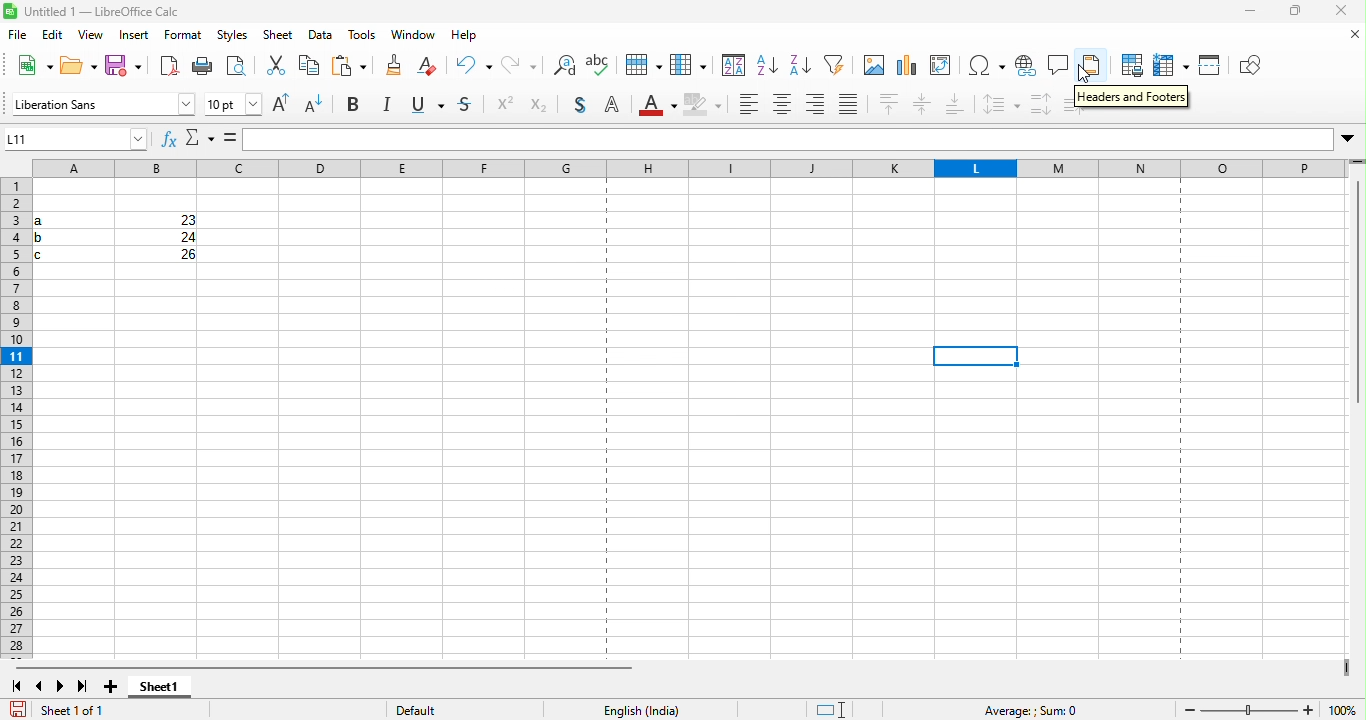 The height and width of the screenshot is (720, 1366). What do you see at coordinates (113, 681) in the screenshot?
I see `add sheet` at bounding box center [113, 681].